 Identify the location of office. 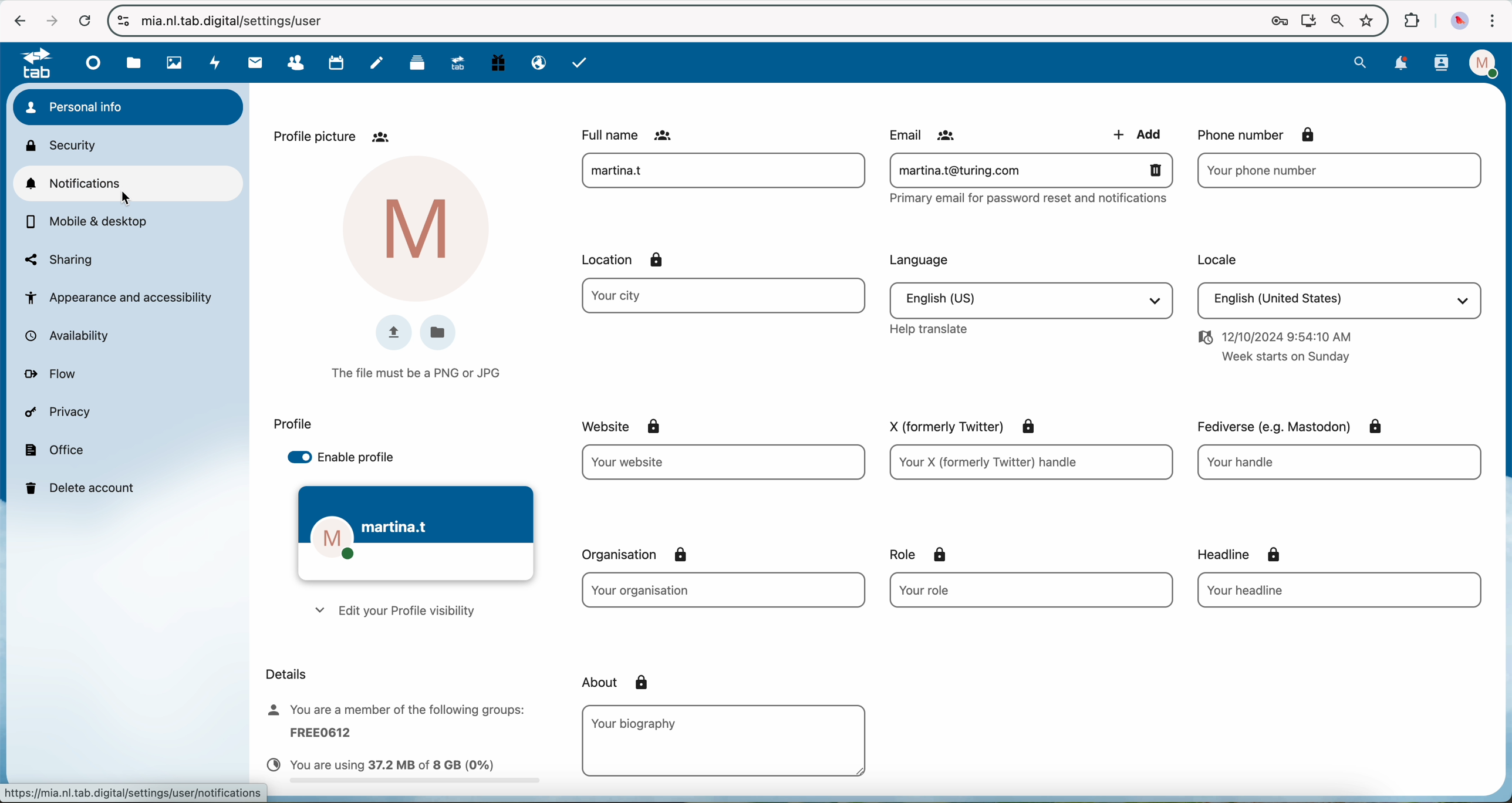
(56, 449).